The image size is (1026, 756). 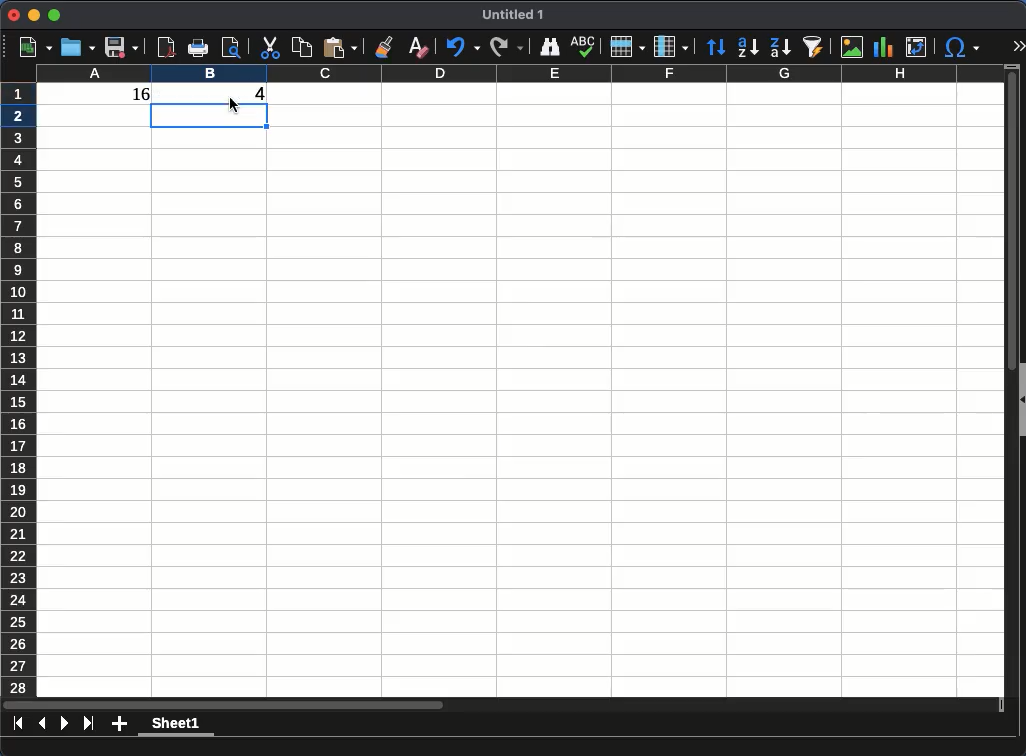 What do you see at coordinates (1007, 381) in the screenshot?
I see `scroll` at bounding box center [1007, 381].